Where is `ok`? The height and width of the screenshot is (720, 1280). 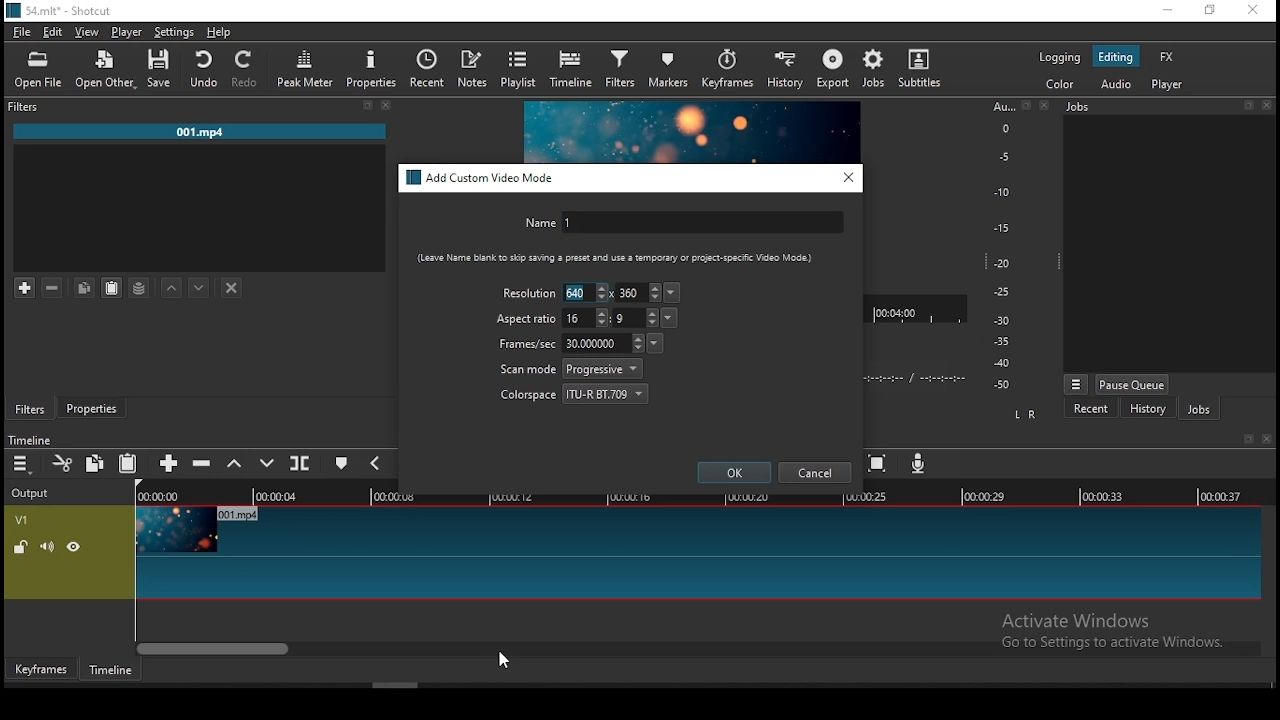
ok is located at coordinates (735, 472).